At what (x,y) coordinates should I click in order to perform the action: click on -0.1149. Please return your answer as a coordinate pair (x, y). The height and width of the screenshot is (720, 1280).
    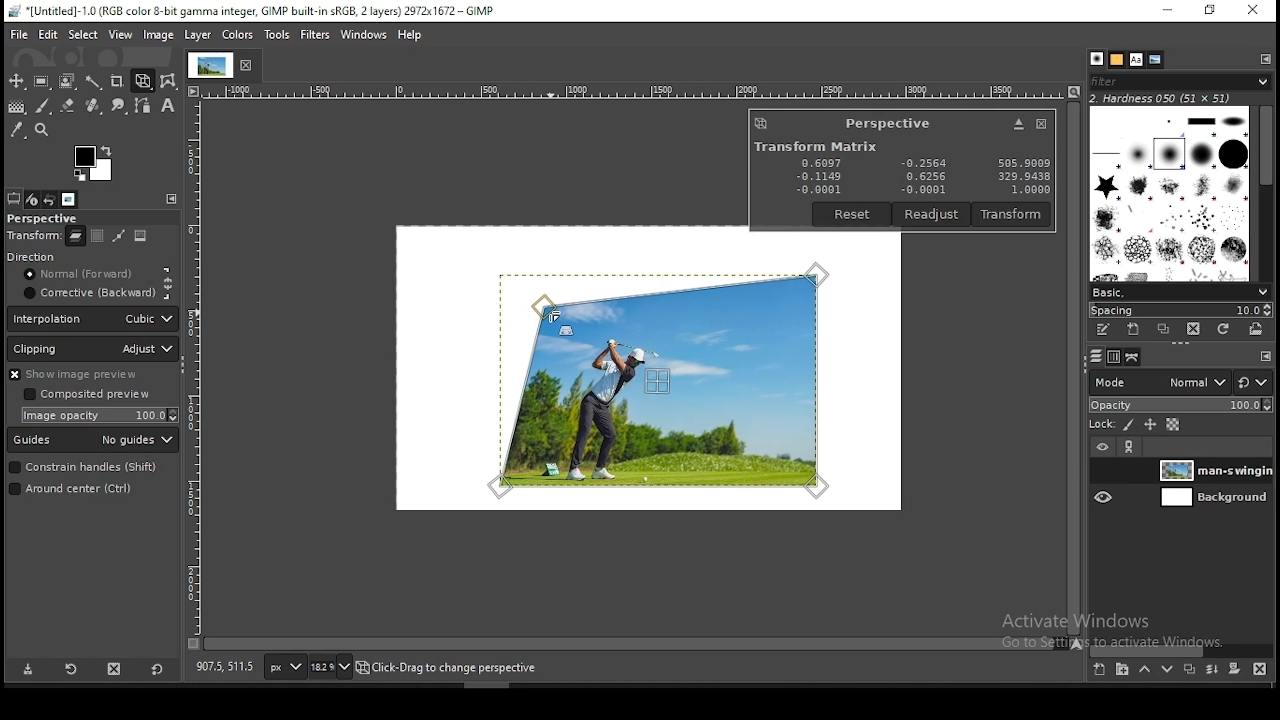
    Looking at the image, I should click on (817, 176).